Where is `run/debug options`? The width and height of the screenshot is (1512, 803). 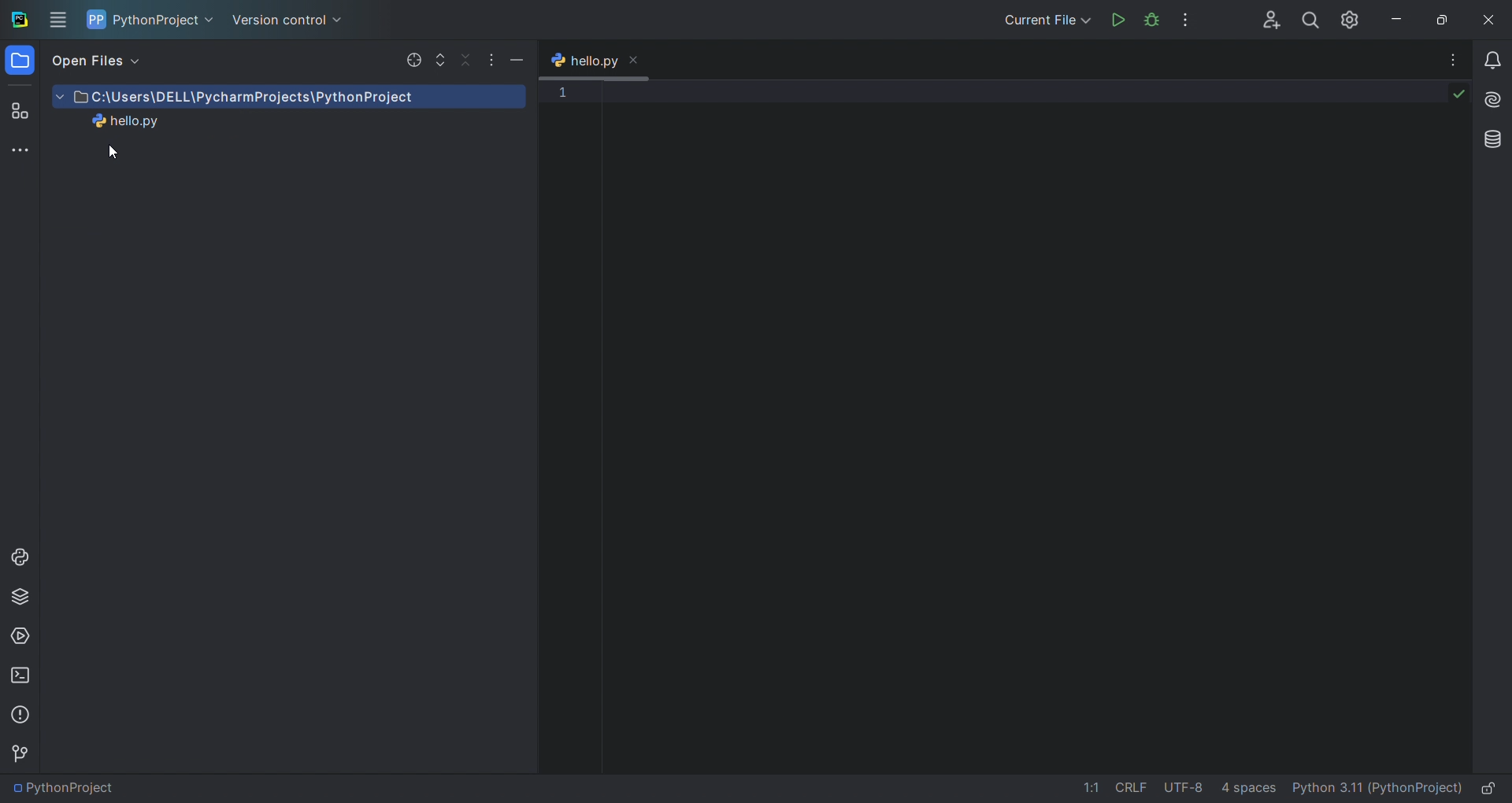 run/debug options is located at coordinates (1040, 21).